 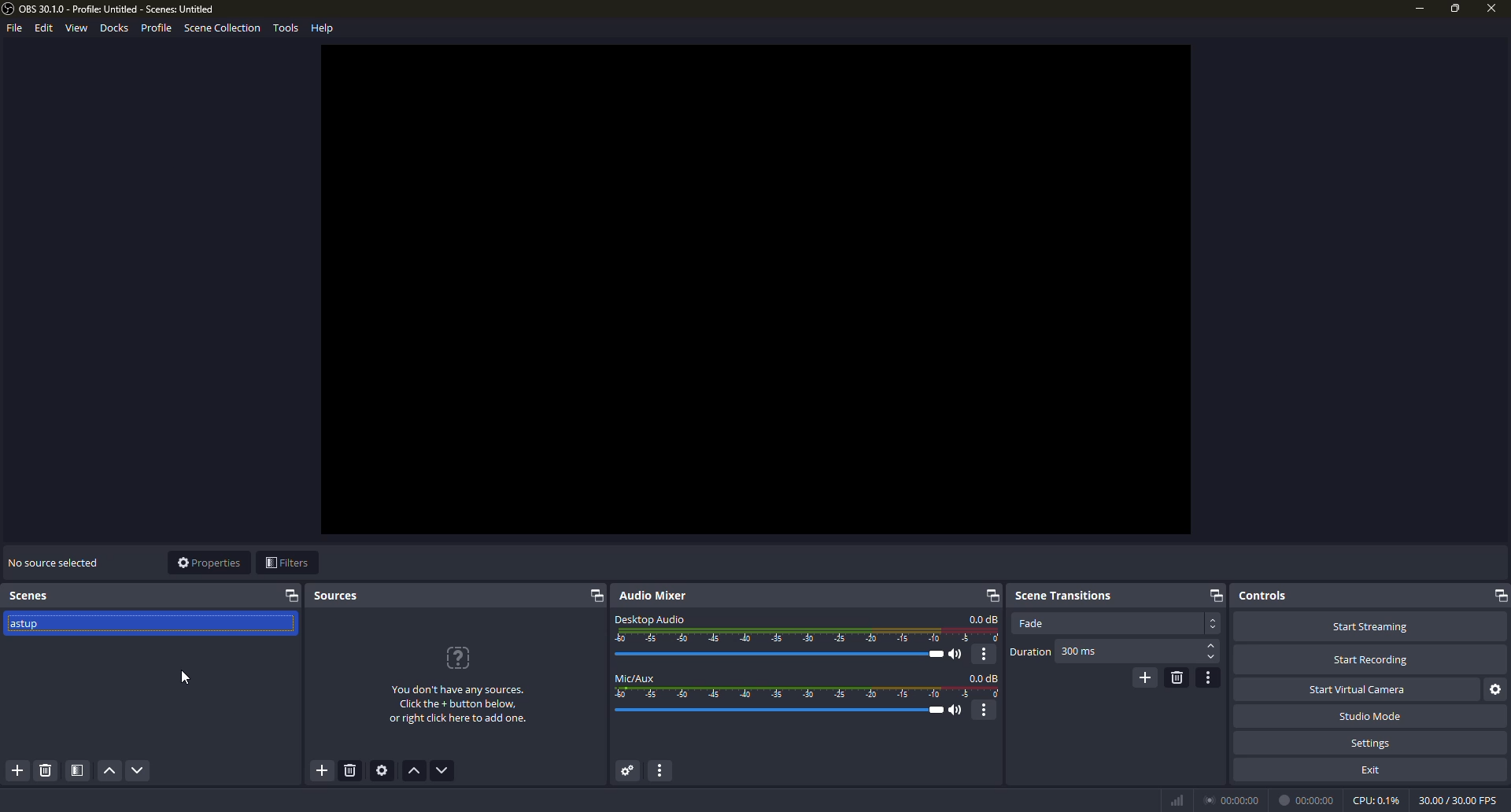 I want to click on expand, so click(x=595, y=597).